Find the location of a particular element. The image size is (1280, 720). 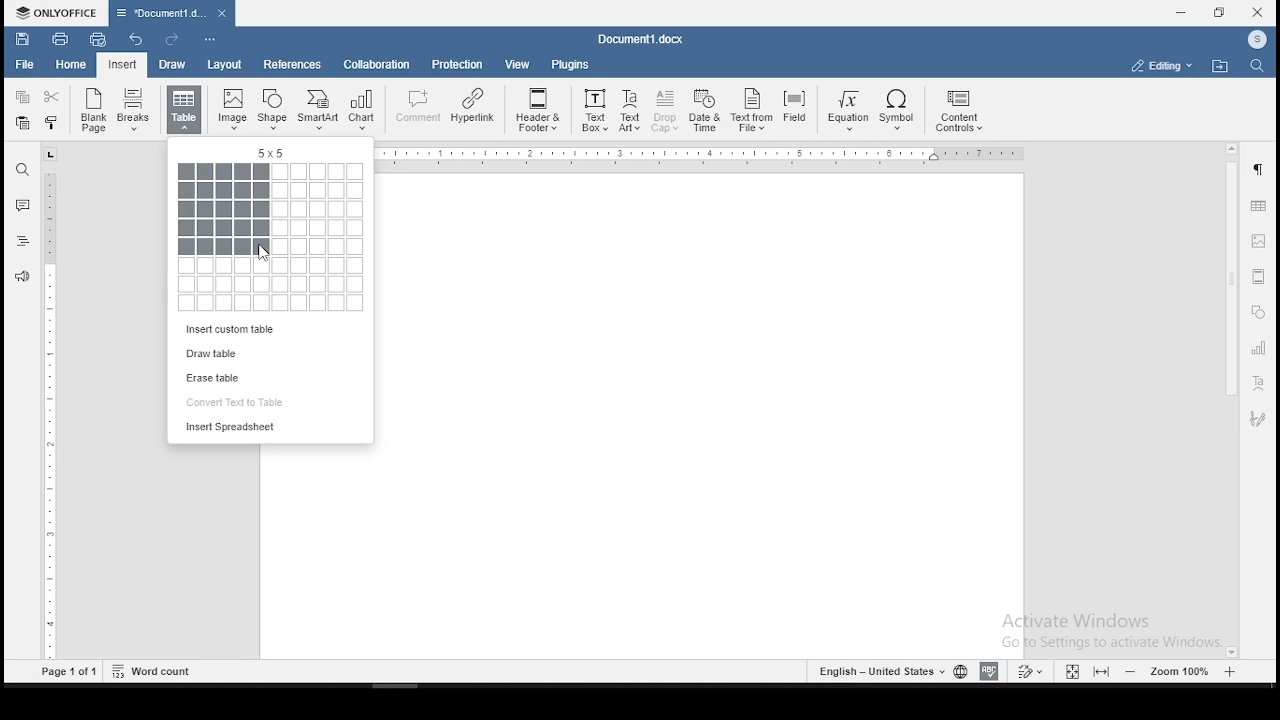

print file is located at coordinates (60, 38).